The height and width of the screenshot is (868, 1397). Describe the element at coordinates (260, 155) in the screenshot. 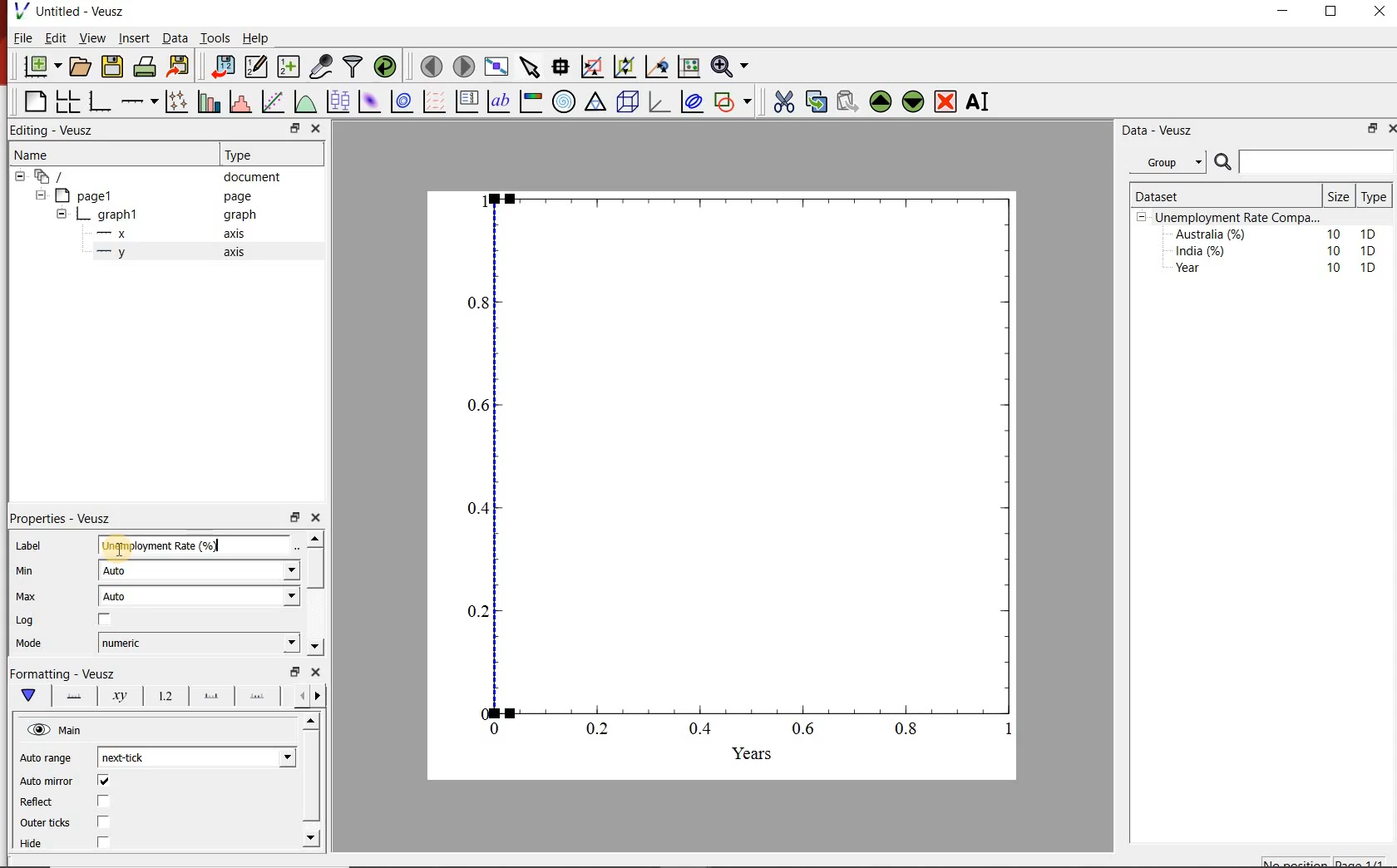

I see `Type` at that location.